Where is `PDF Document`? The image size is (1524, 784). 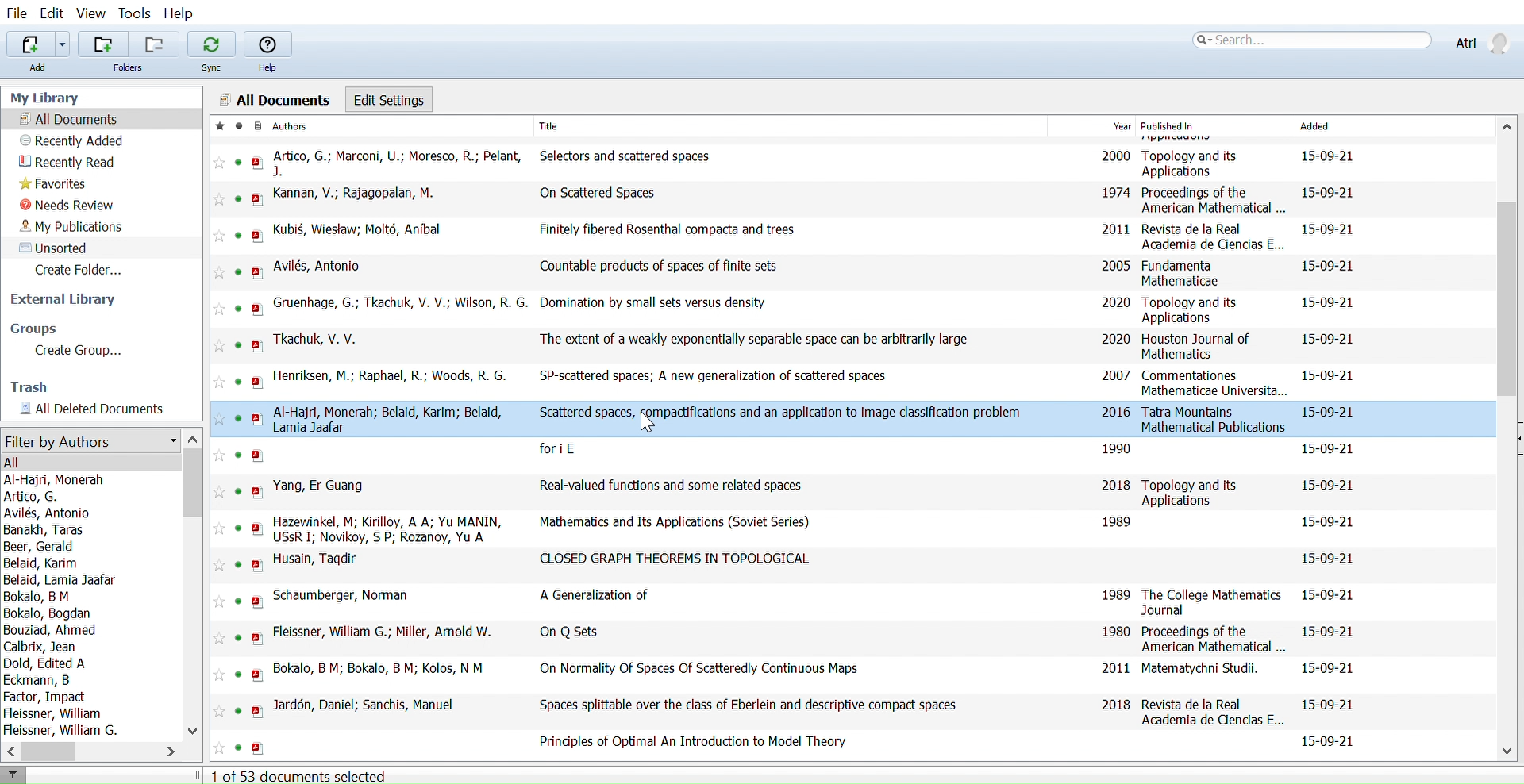 PDF Document is located at coordinates (255, 638).